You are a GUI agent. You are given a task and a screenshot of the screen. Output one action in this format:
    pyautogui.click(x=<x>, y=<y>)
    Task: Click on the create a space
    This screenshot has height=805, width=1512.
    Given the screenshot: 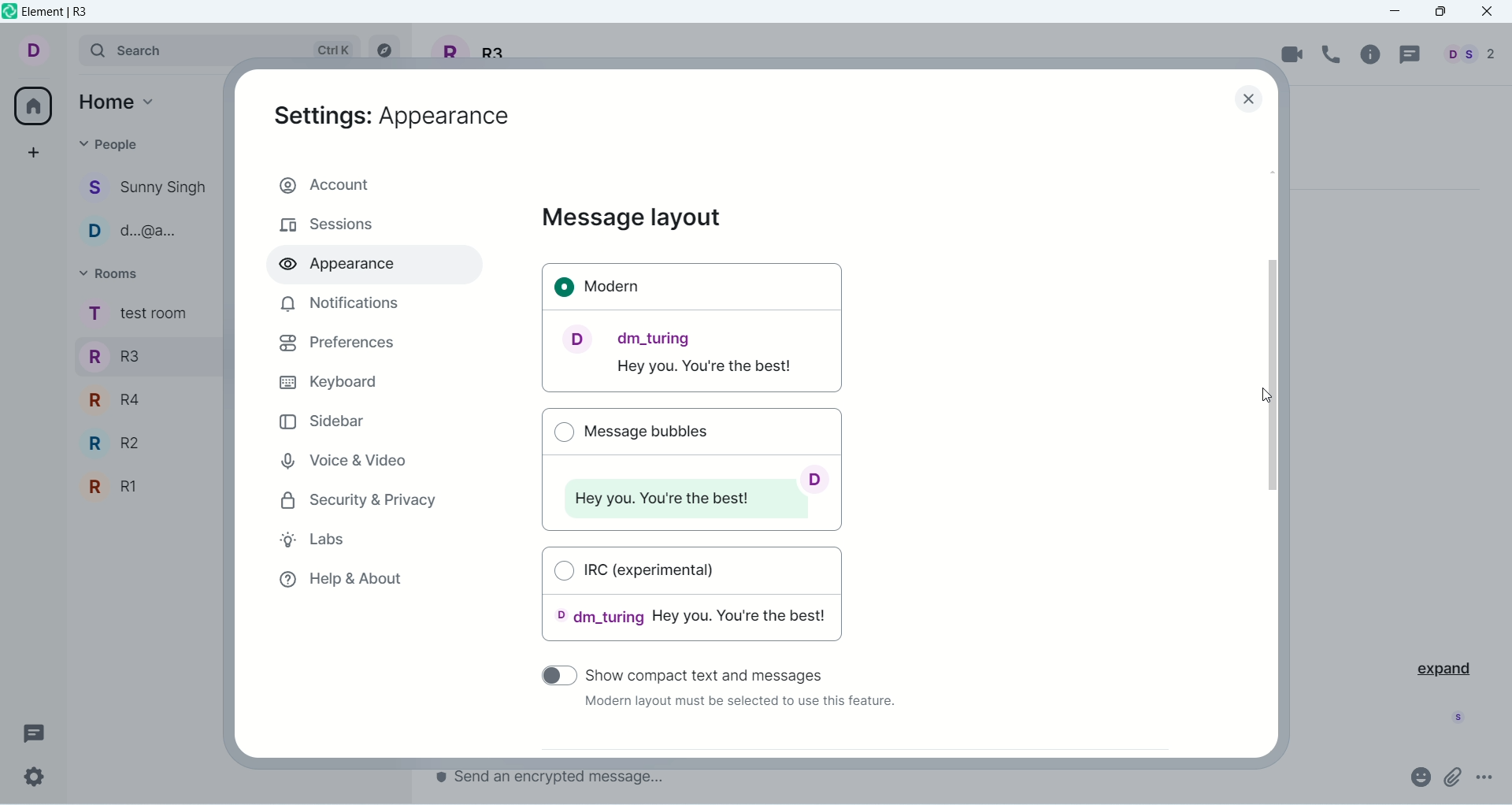 What is the action you would take?
    pyautogui.click(x=34, y=152)
    